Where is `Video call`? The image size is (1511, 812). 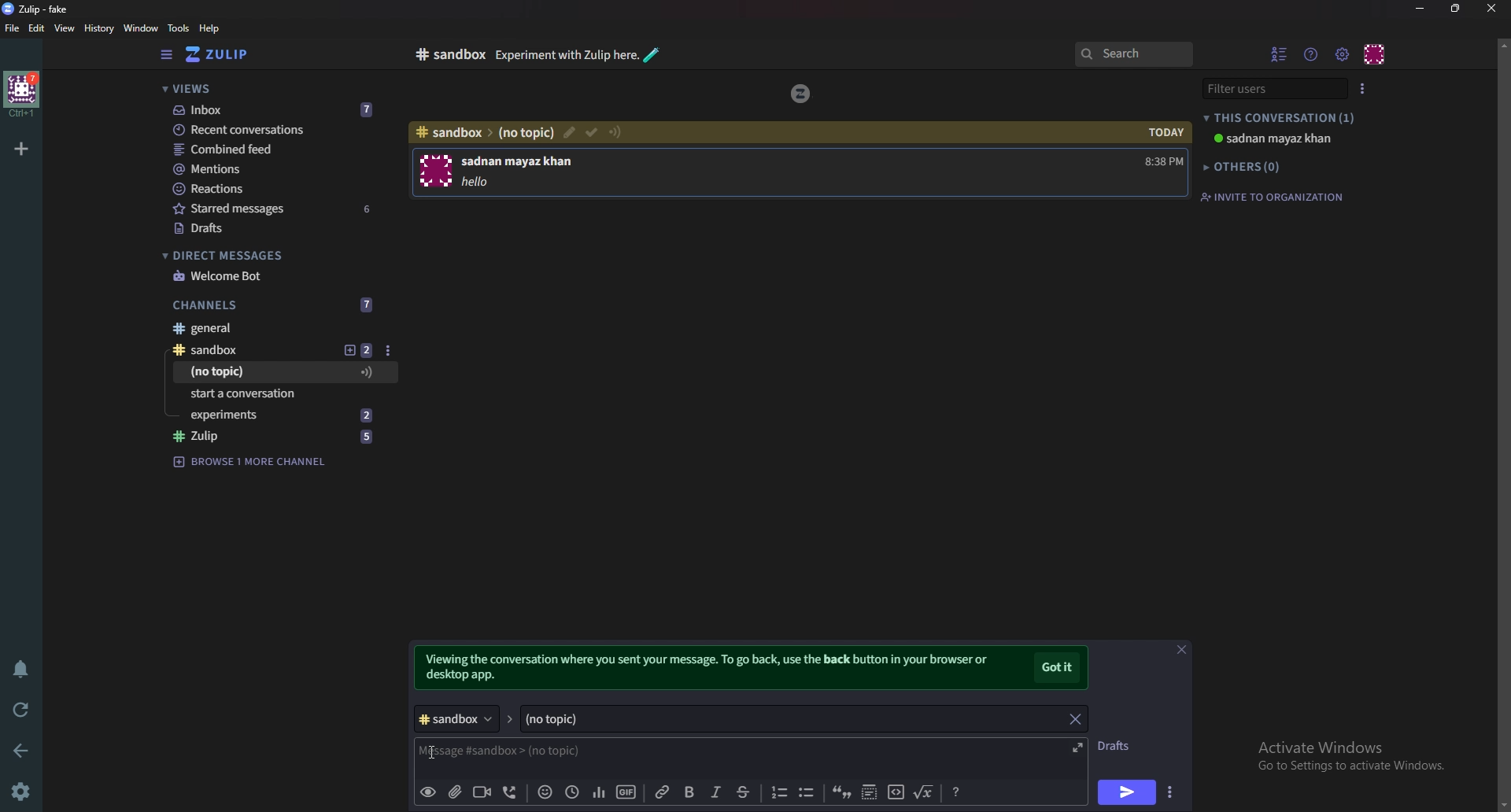
Video call is located at coordinates (484, 792).